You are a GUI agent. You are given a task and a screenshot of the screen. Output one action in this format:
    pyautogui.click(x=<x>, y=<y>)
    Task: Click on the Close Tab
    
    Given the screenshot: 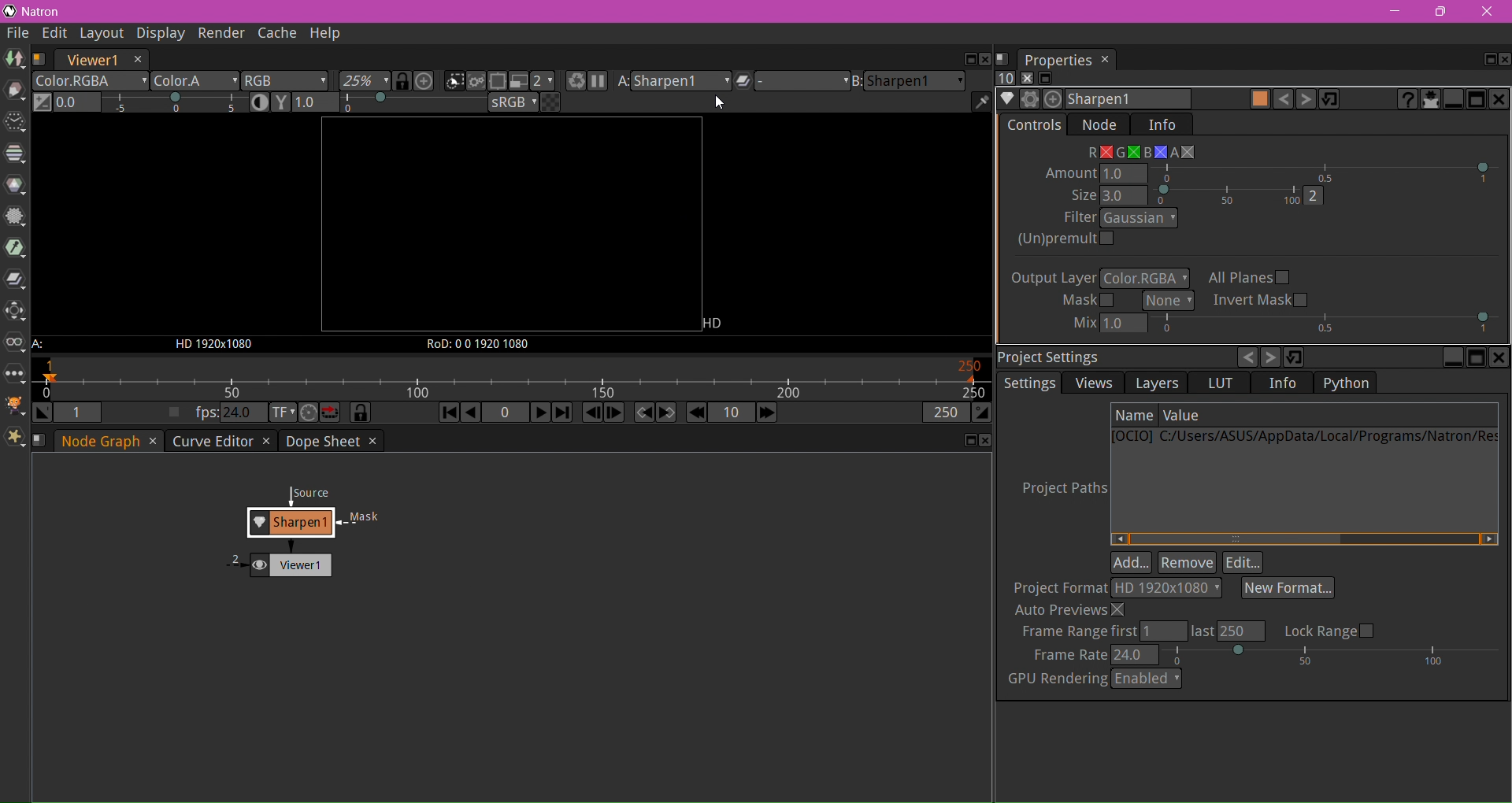 What is the action you would take?
    pyautogui.click(x=138, y=59)
    